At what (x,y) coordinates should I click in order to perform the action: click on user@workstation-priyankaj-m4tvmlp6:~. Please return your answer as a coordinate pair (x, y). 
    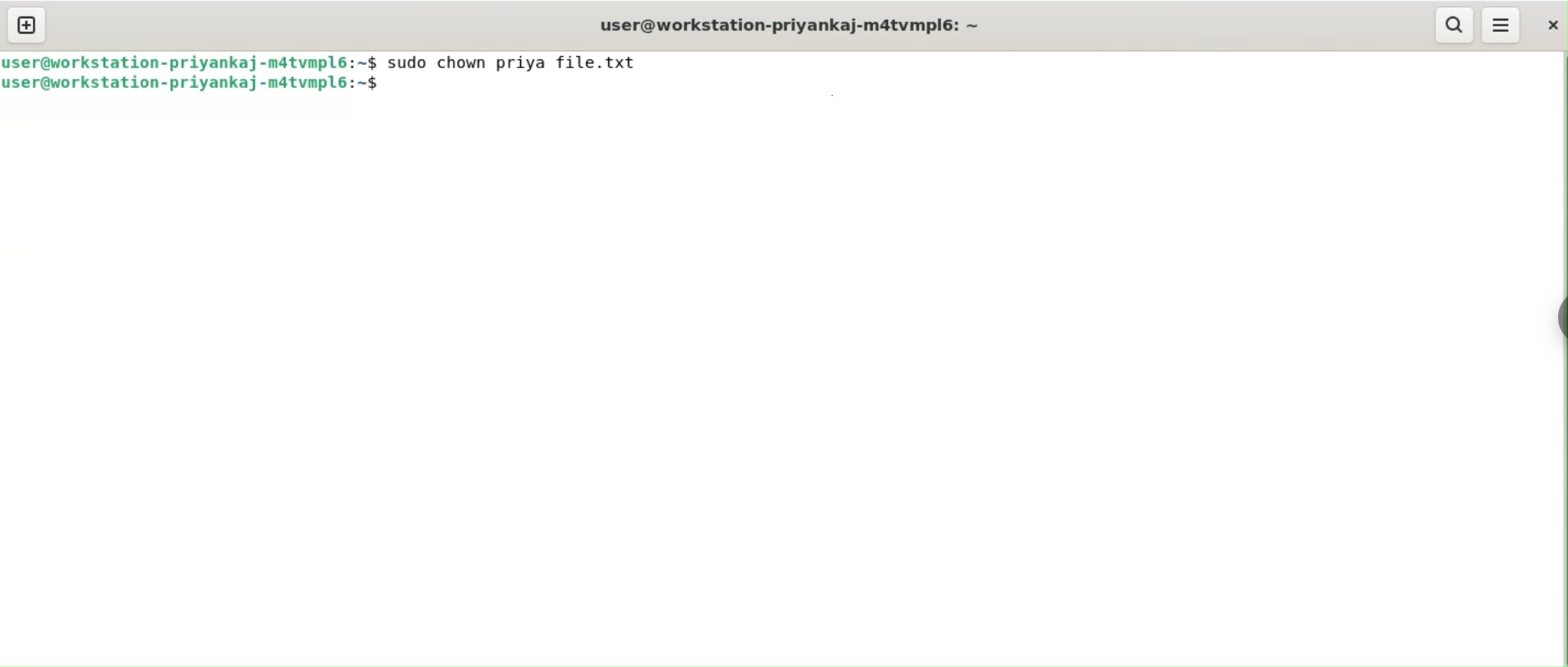
    Looking at the image, I should click on (787, 25).